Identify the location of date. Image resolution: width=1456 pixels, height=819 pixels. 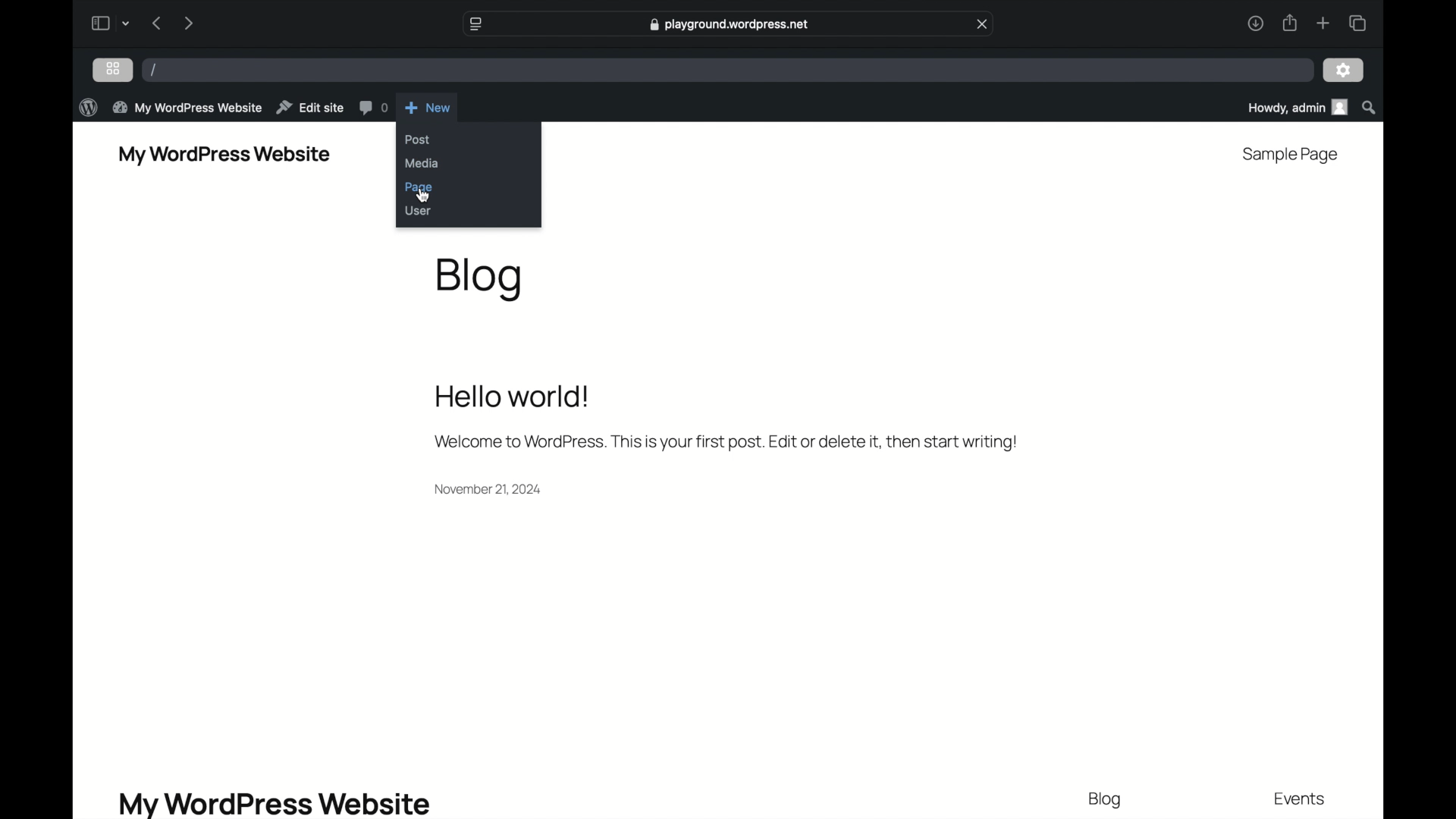
(491, 488).